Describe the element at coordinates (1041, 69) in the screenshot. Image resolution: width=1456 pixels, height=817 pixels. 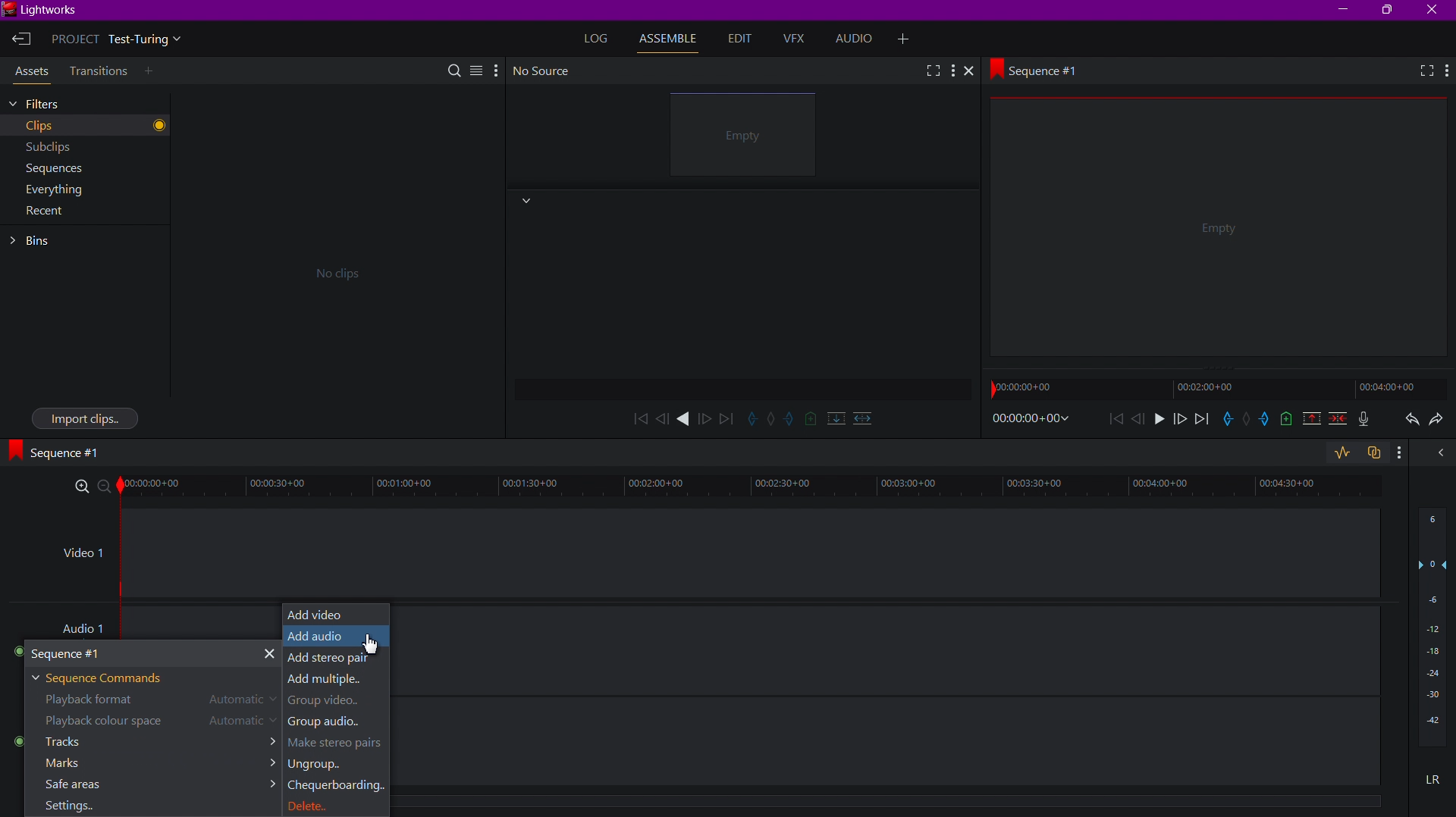
I see `Sequence #1` at that location.